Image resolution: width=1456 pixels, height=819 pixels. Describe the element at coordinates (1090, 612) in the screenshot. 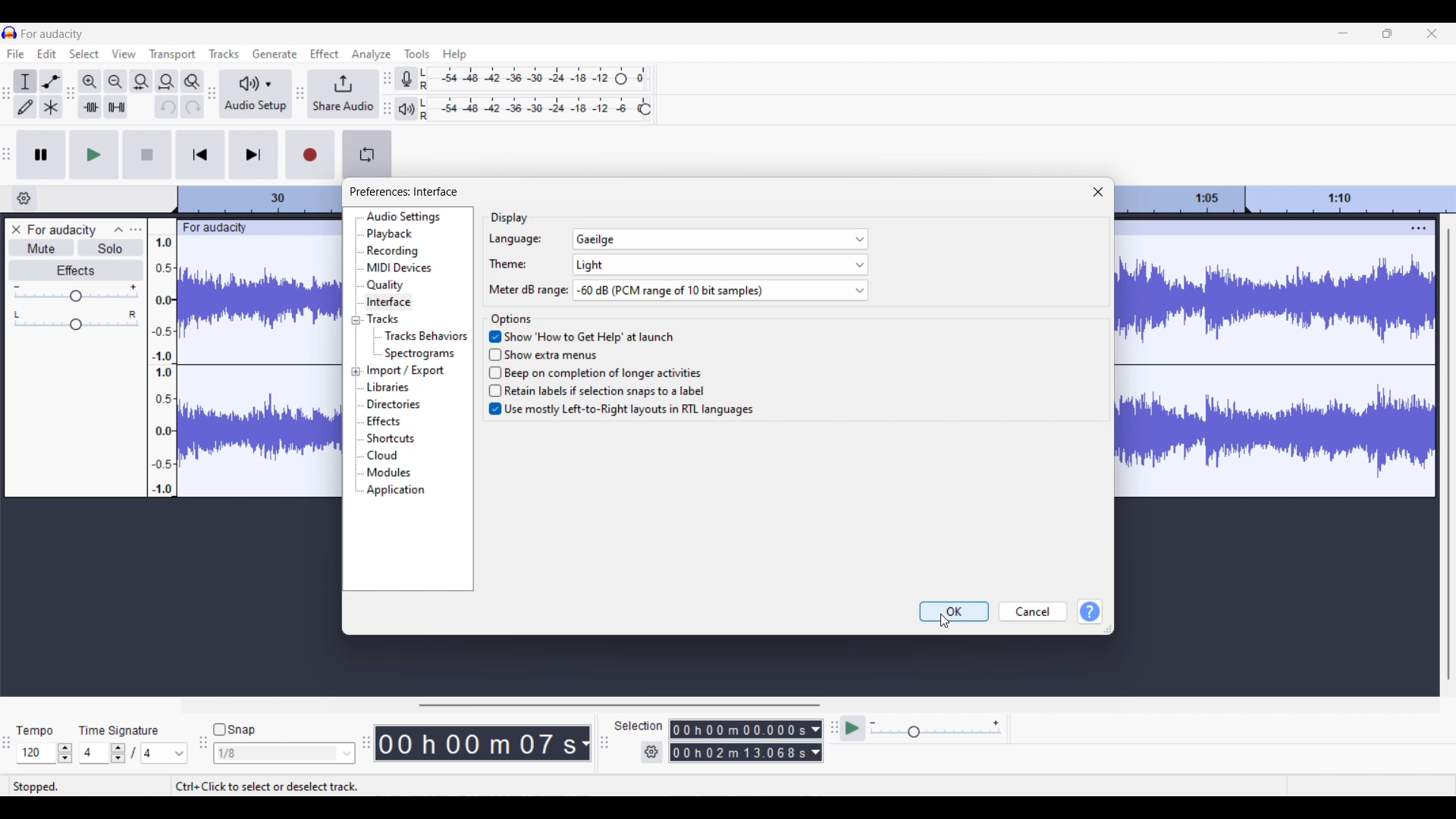

I see `Help` at that location.